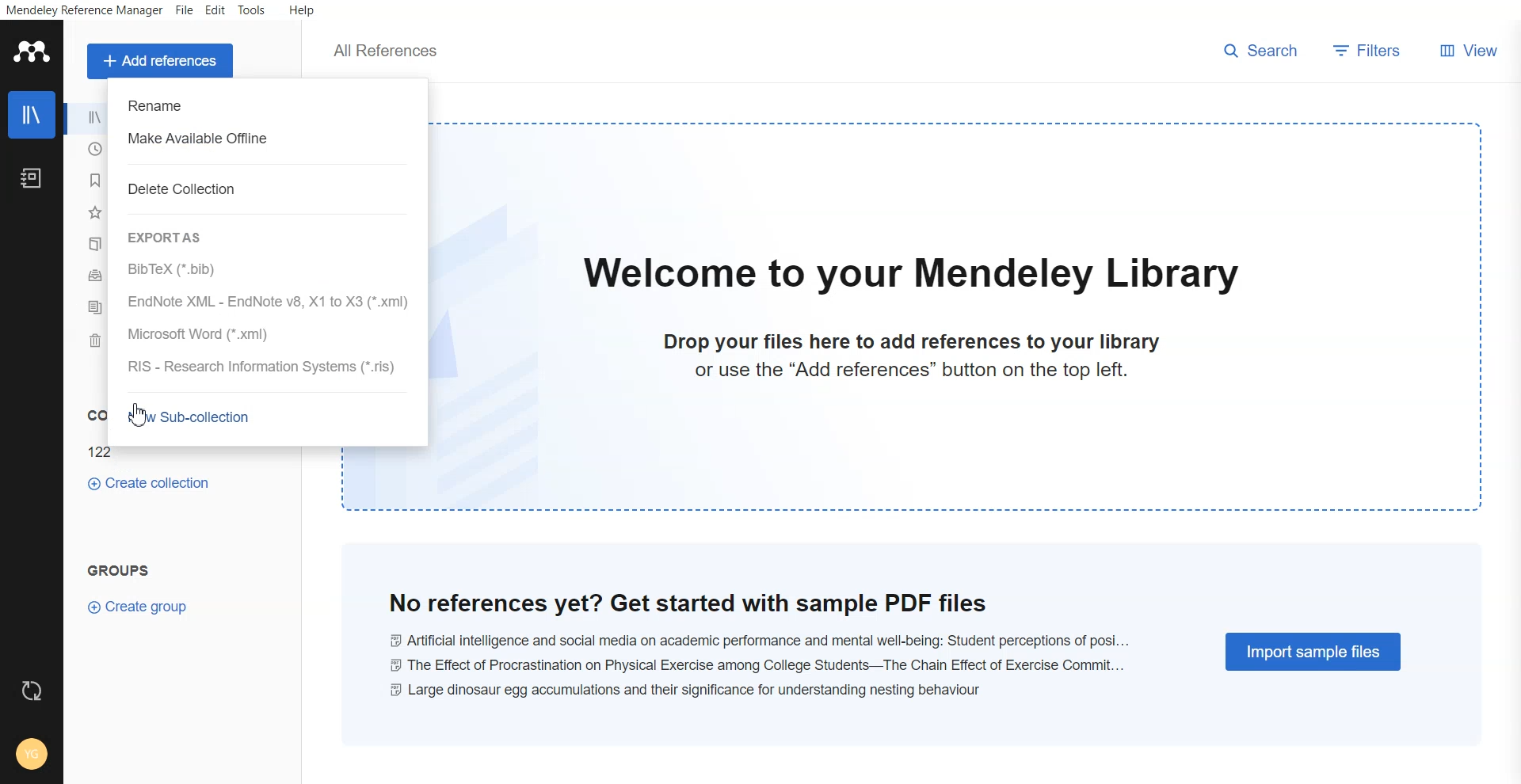 The image size is (1521, 784). What do you see at coordinates (760, 637) in the screenshot?
I see `Ai and social media on academic performance and mental well-being: student perceptions of posi...` at bounding box center [760, 637].